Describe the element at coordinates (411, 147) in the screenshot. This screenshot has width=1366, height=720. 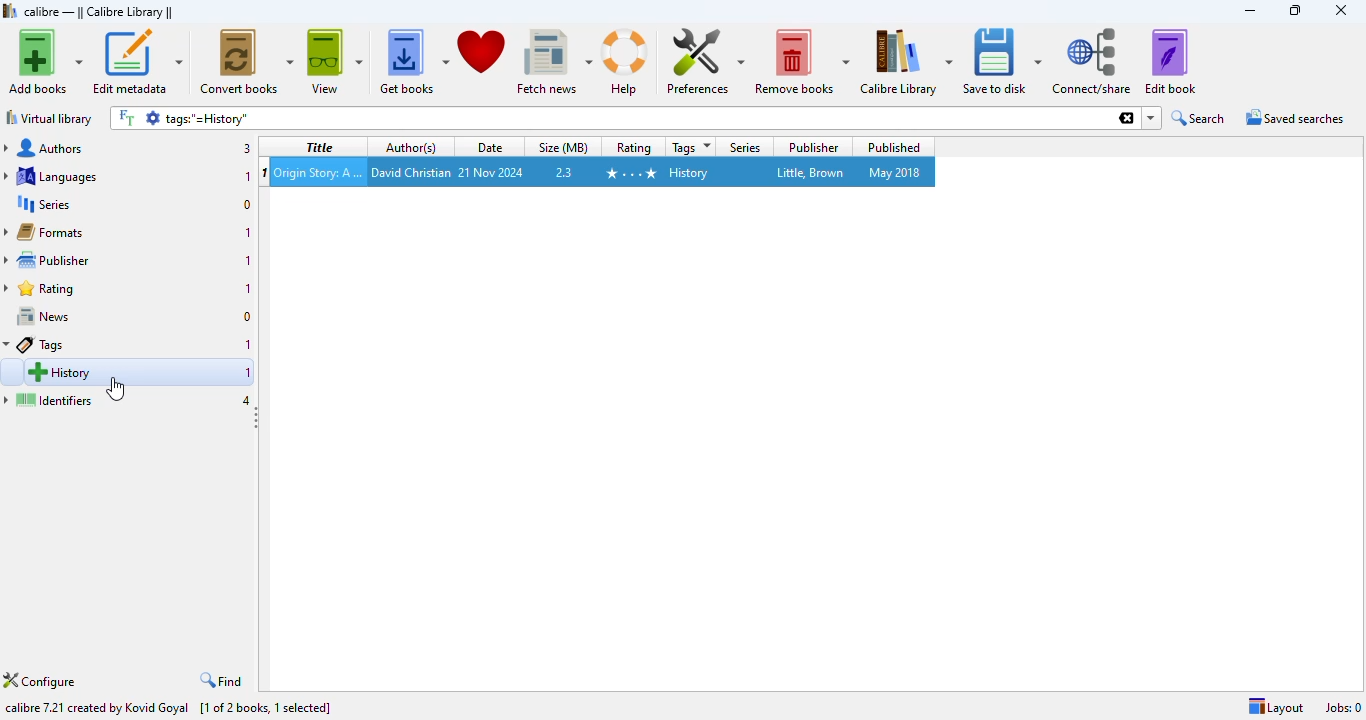
I see `author(s)` at that location.